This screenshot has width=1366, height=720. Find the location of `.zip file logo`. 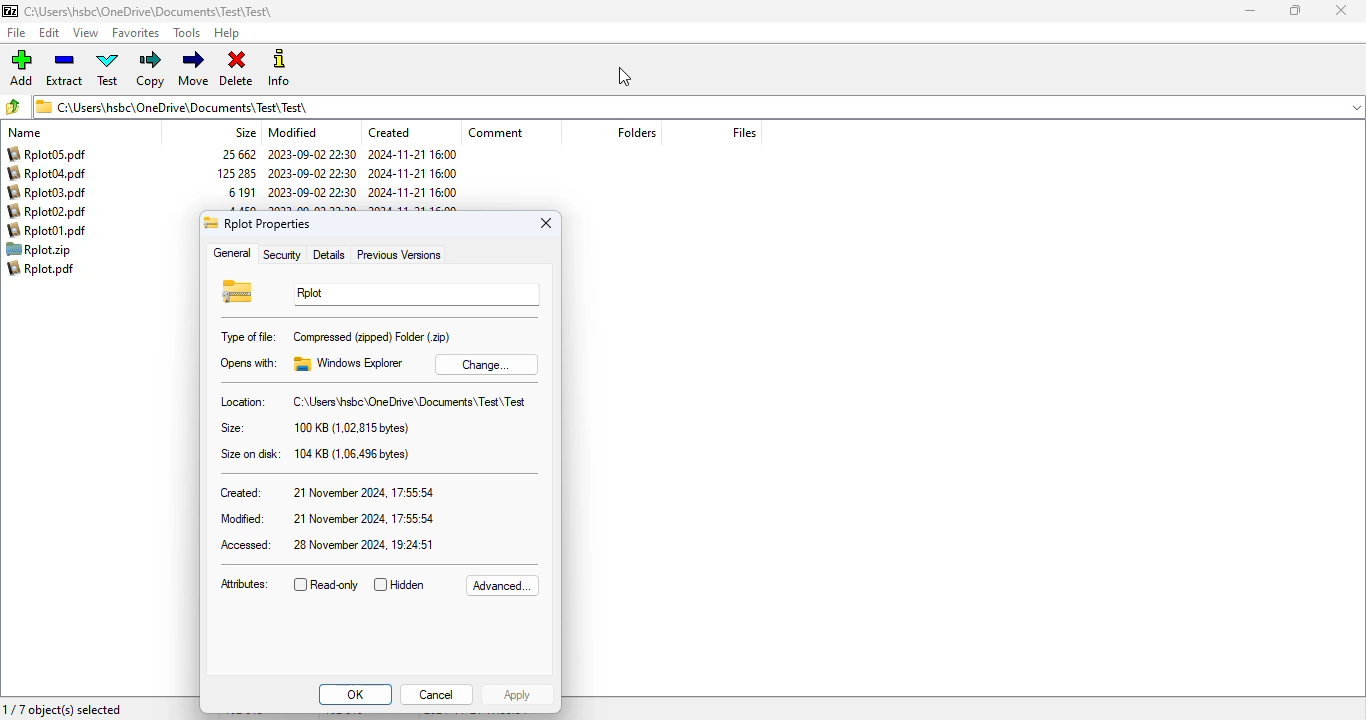

.zip file logo is located at coordinates (238, 293).